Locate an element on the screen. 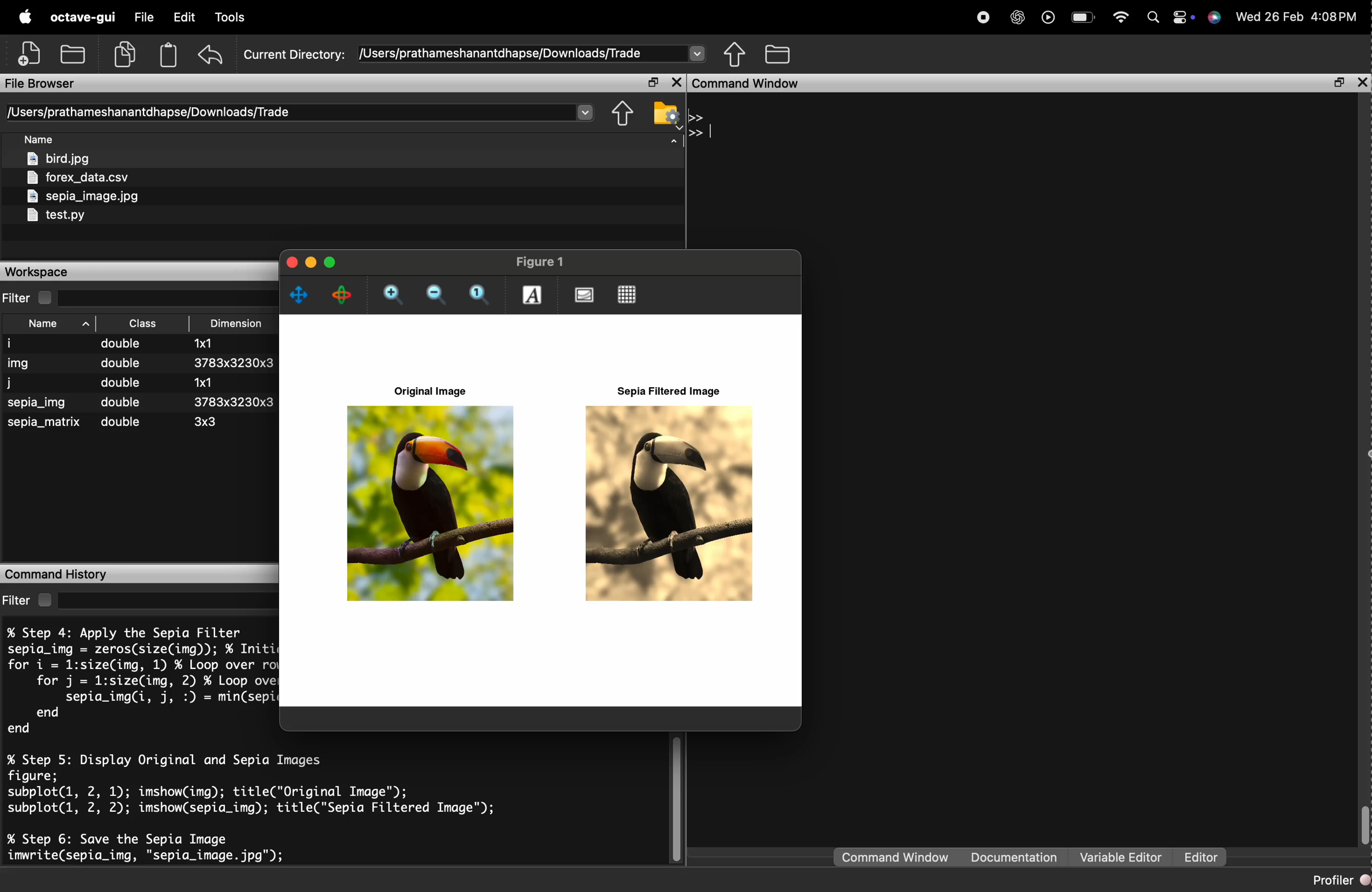   sepia_image.jpg is located at coordinates (84, 196).